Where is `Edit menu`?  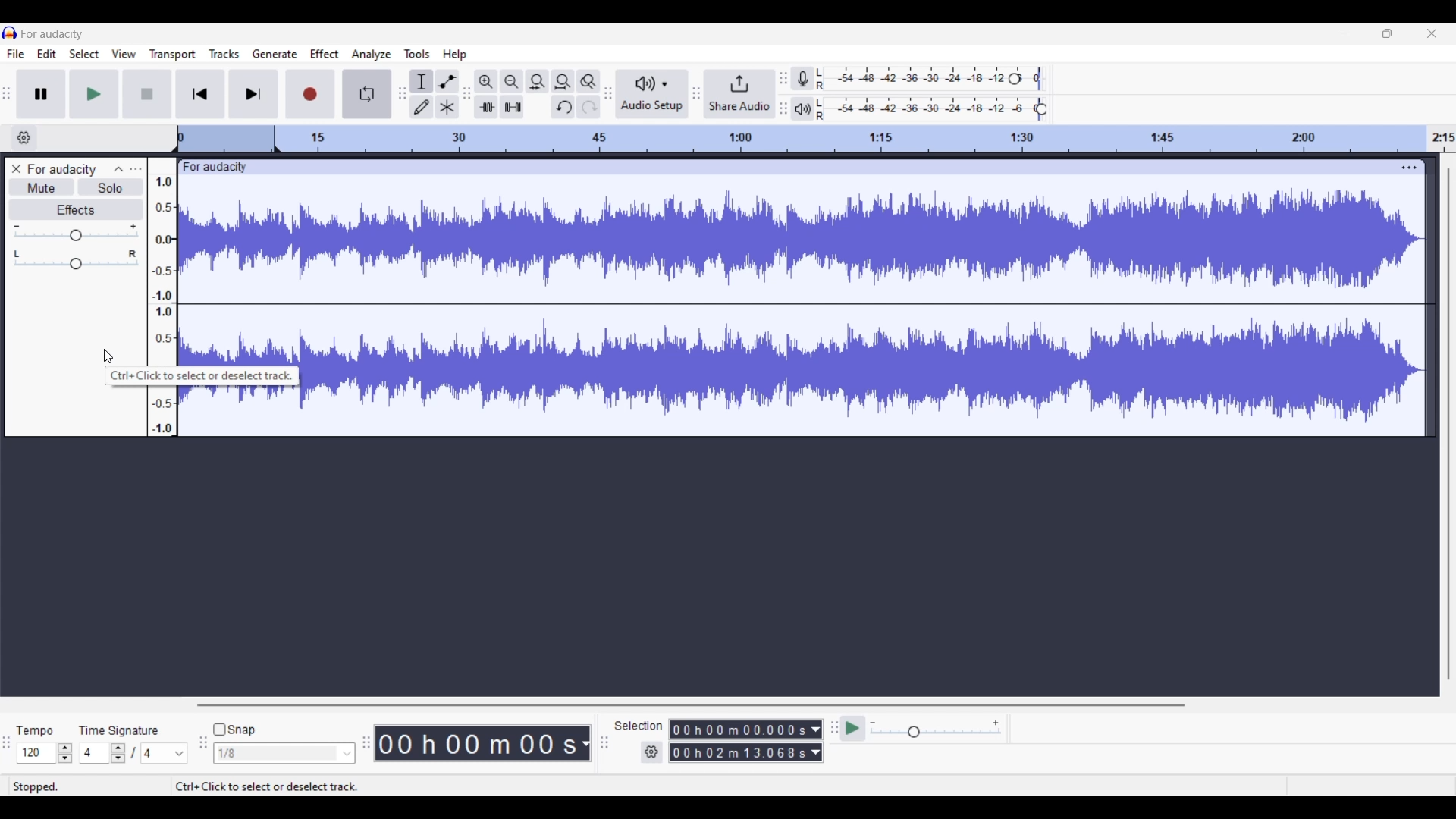
Edit menu is located at coordinates (47, 55).